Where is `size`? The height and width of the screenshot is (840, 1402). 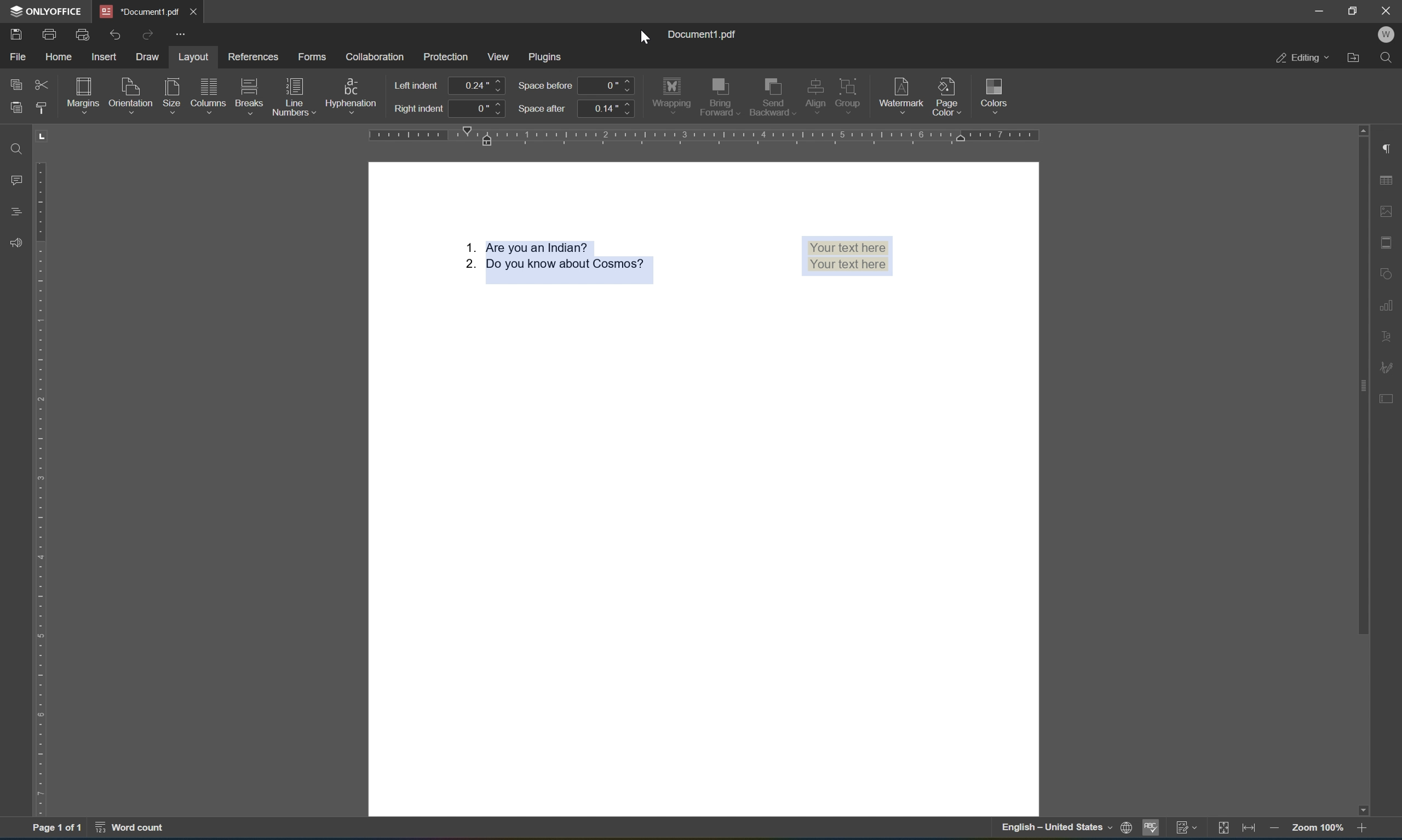 size is located at coordinates (174, 95).